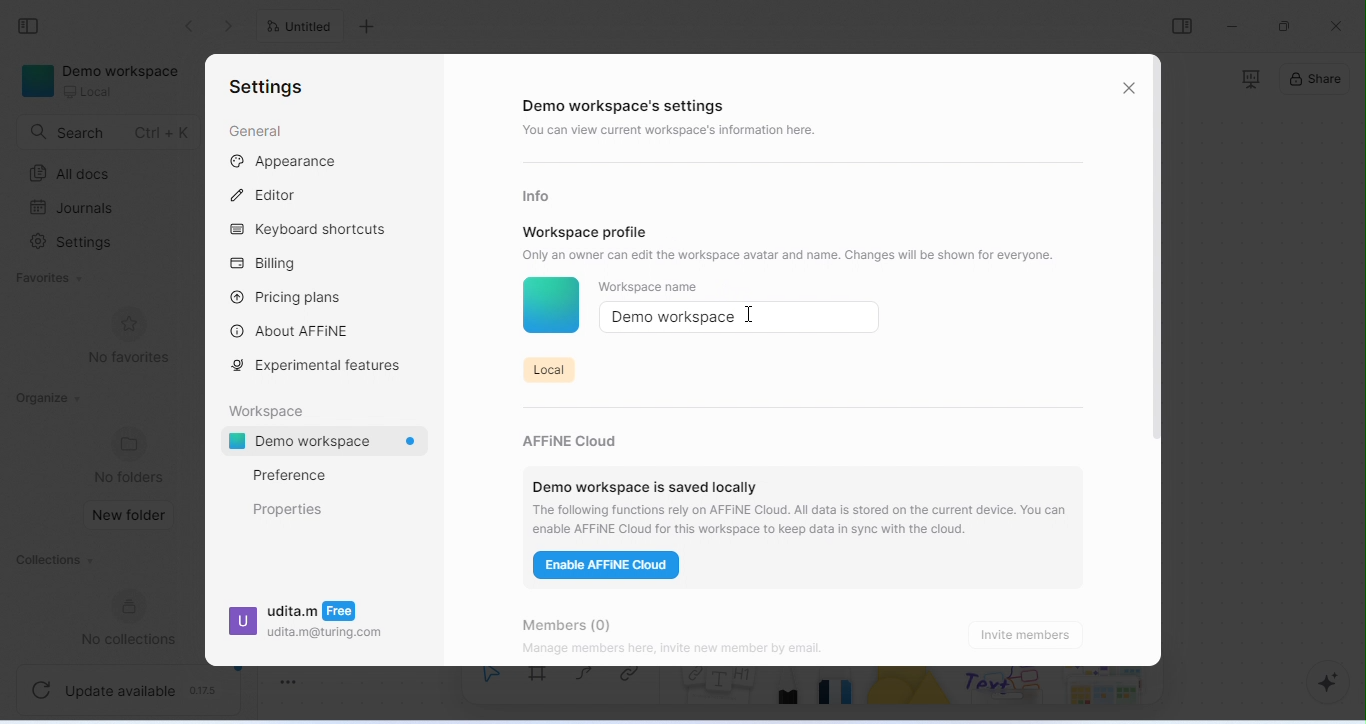 The image size is (1366, 724). What do you see at coordinates (912, 694) in the screenshot?
I see `shape` at bounding box center [912, 694].